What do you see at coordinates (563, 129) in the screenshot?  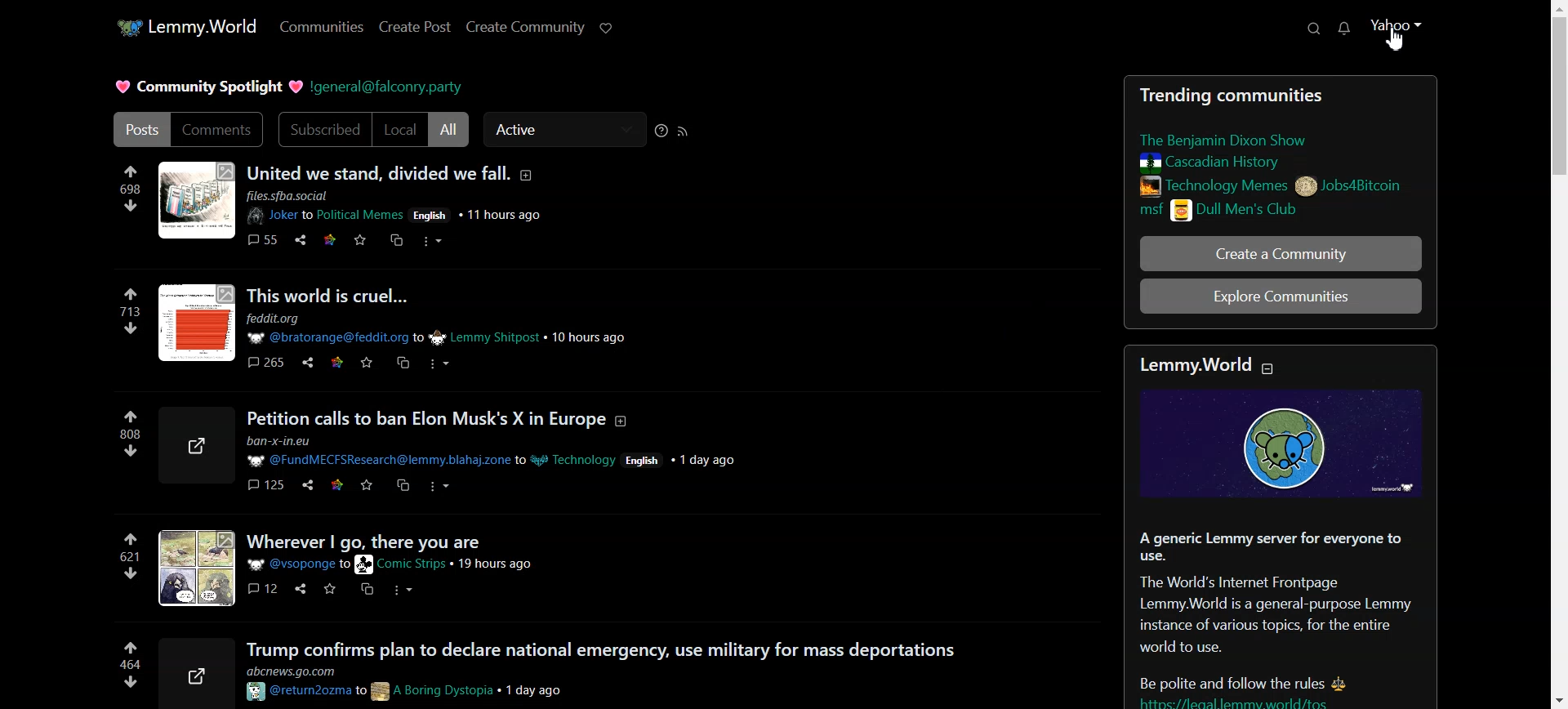 I see `Active` at bounding box center [563, 129].